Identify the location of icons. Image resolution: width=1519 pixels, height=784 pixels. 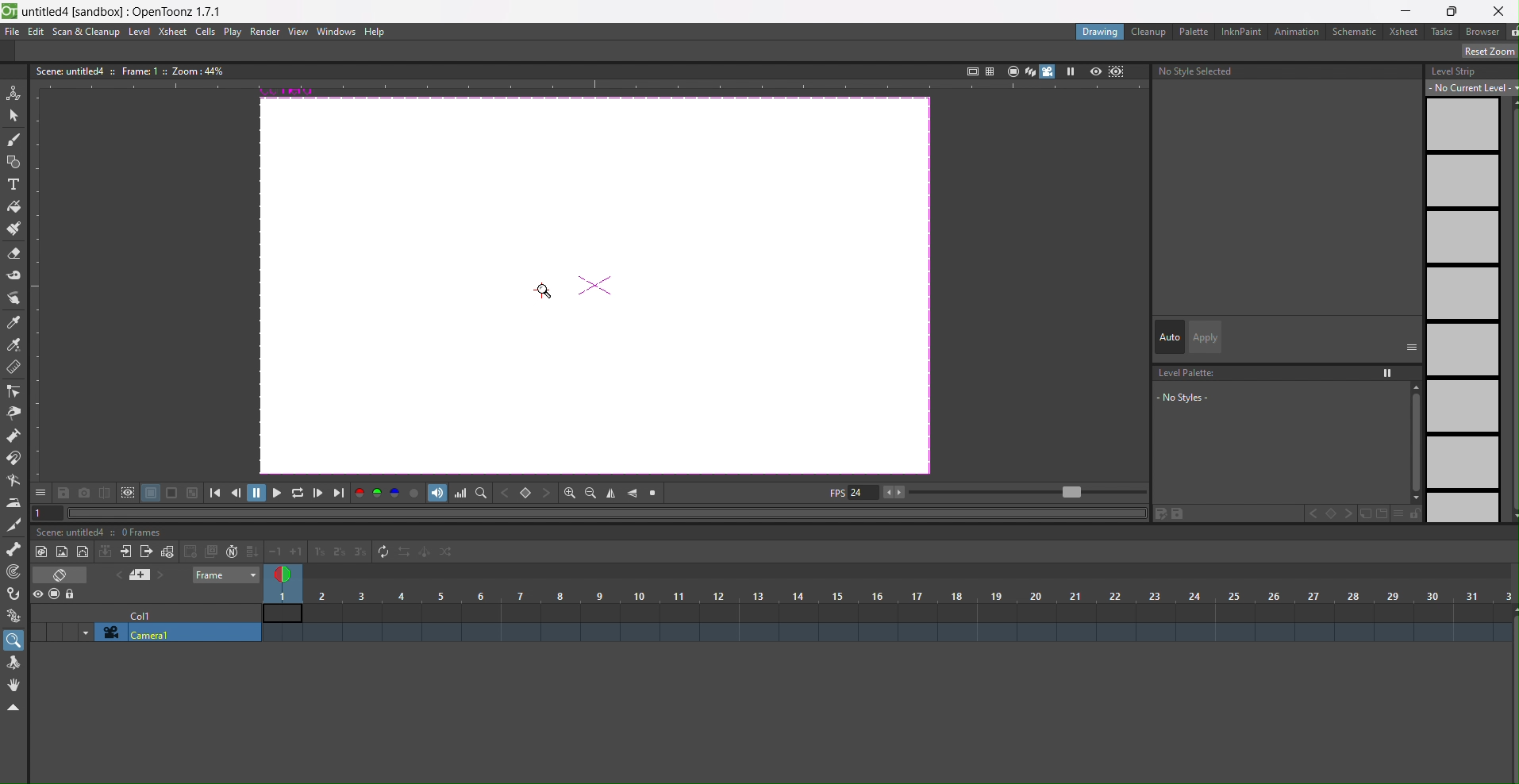
(996, 71).